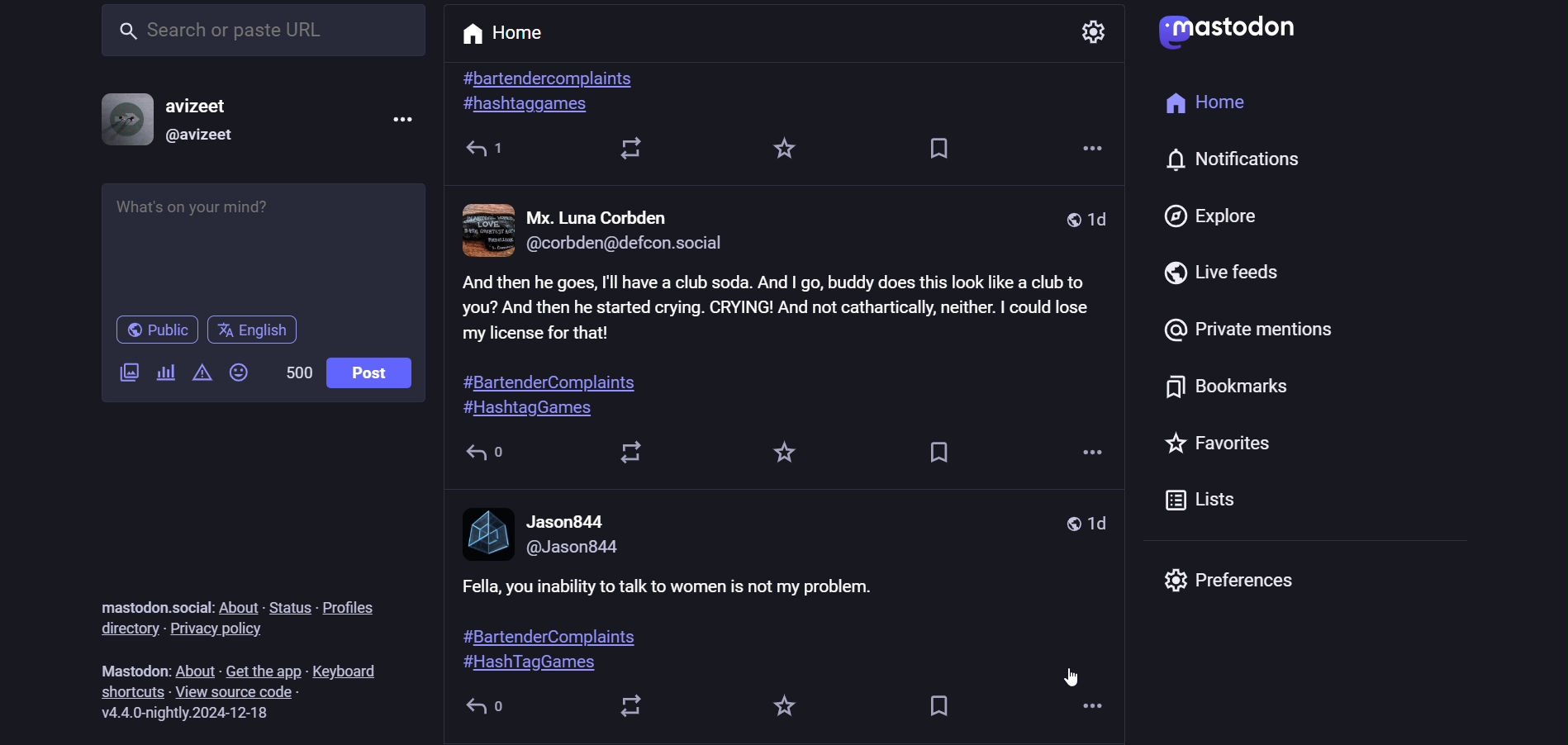 This screenshot has width=1568, height=745. I want to click on hashtags, so click(559, 93).